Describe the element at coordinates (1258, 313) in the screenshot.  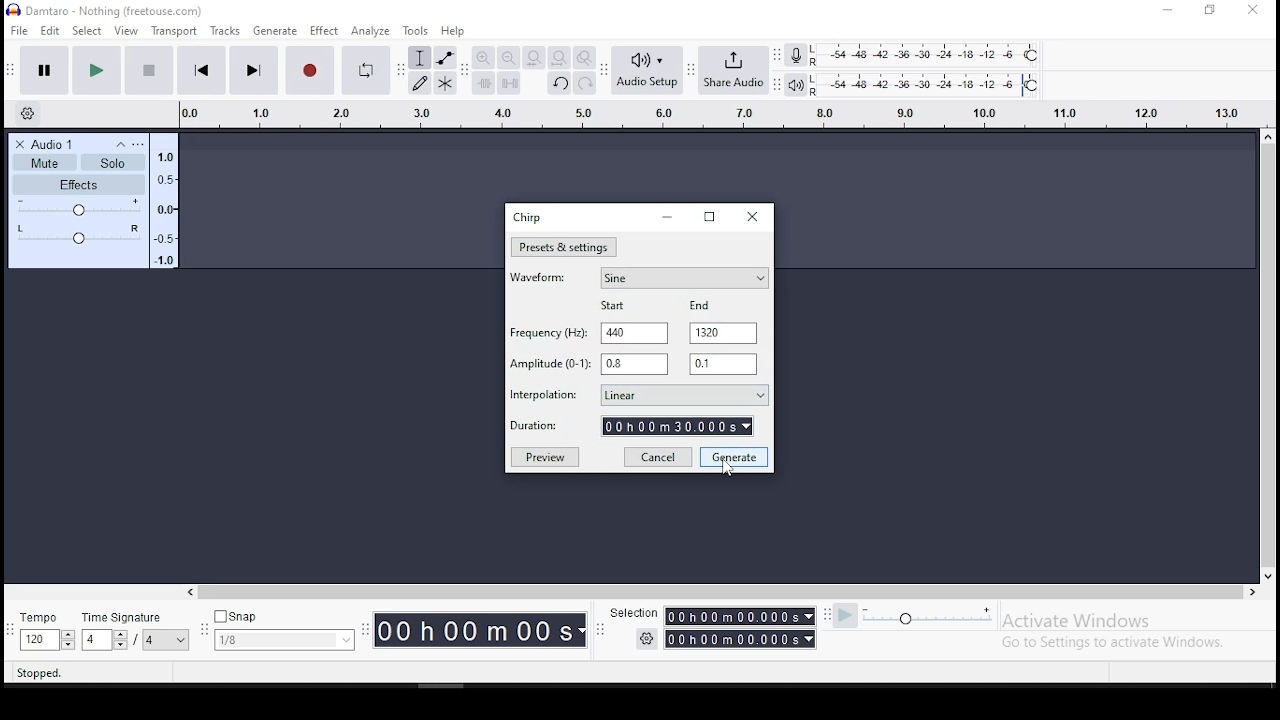
I see `vertical scroll bar` at that location.